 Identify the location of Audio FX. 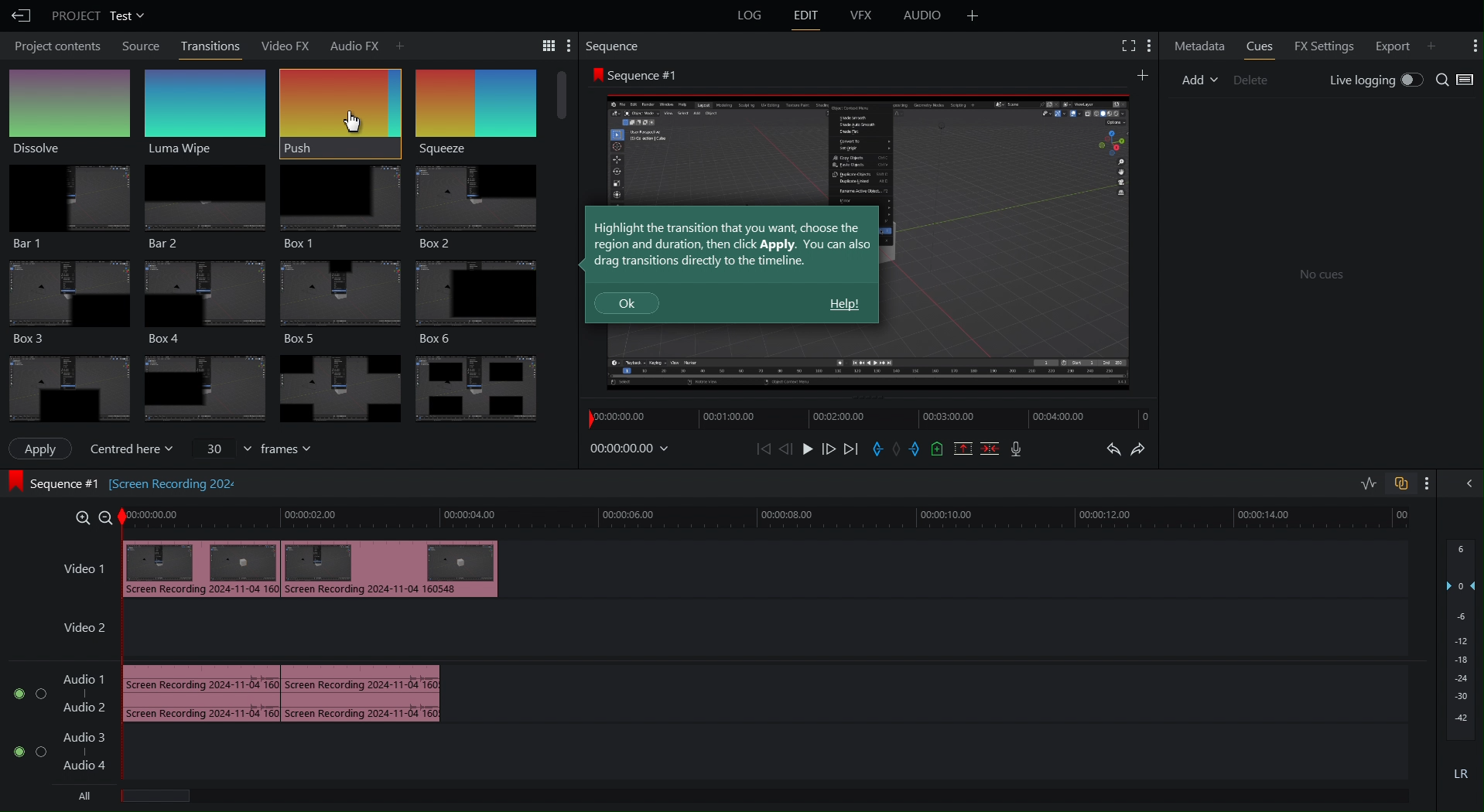
(350, 43).